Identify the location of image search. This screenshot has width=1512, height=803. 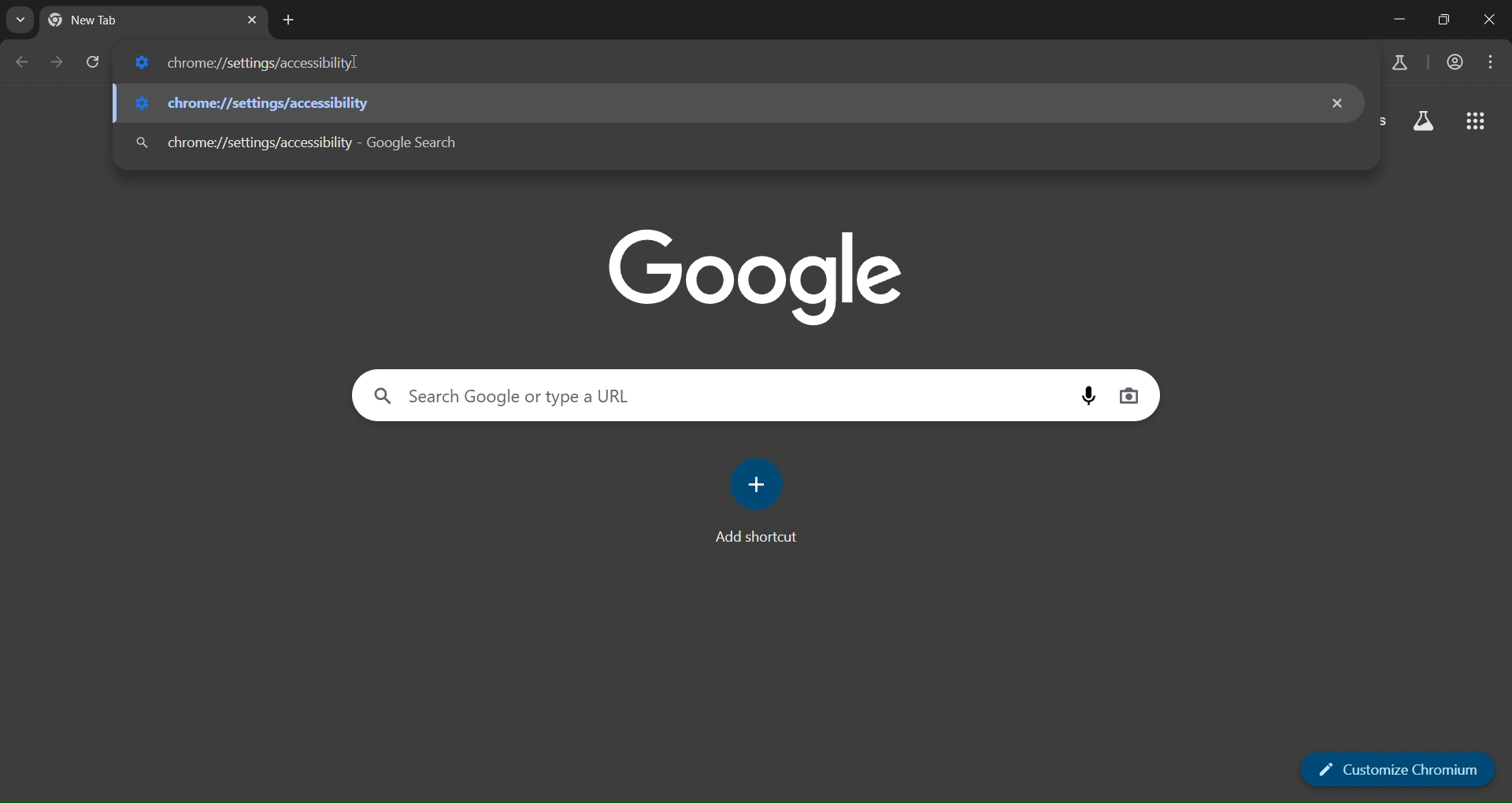
(1128, 395).